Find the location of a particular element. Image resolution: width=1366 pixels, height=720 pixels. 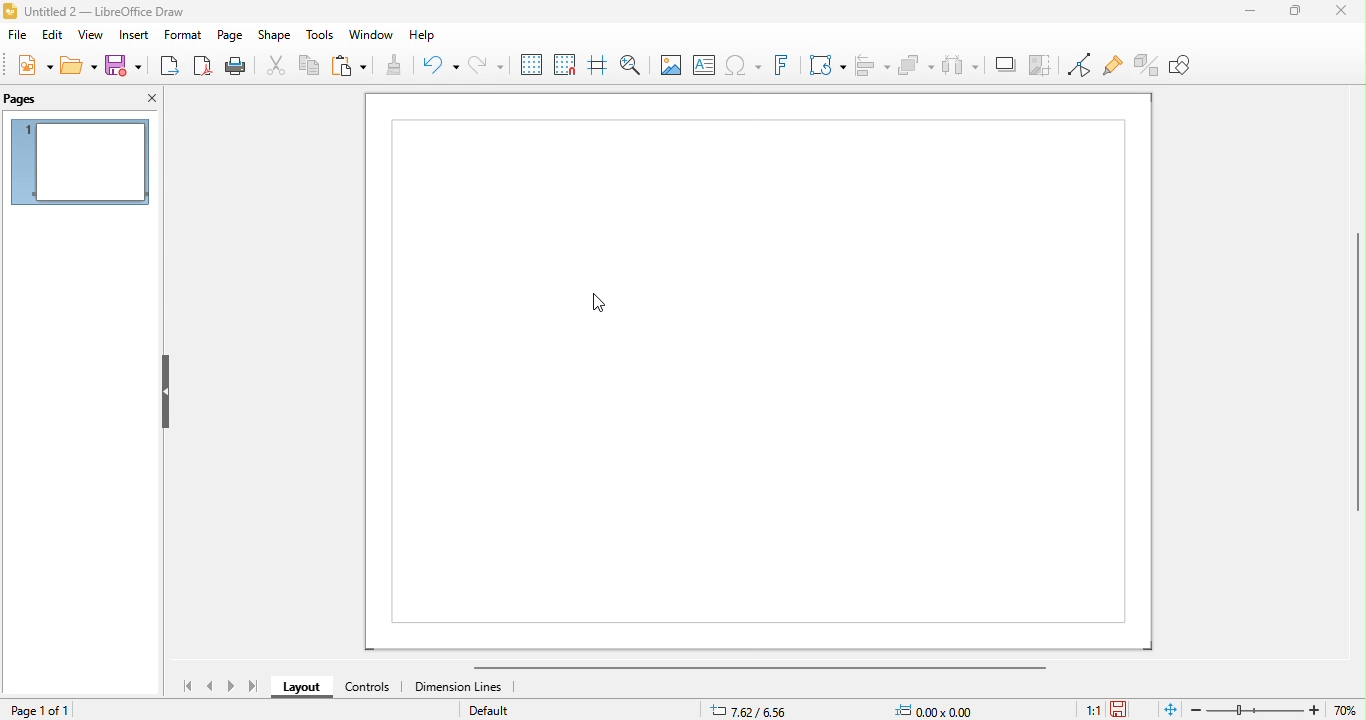

show draw functions is located at coordinates (1192, 71).